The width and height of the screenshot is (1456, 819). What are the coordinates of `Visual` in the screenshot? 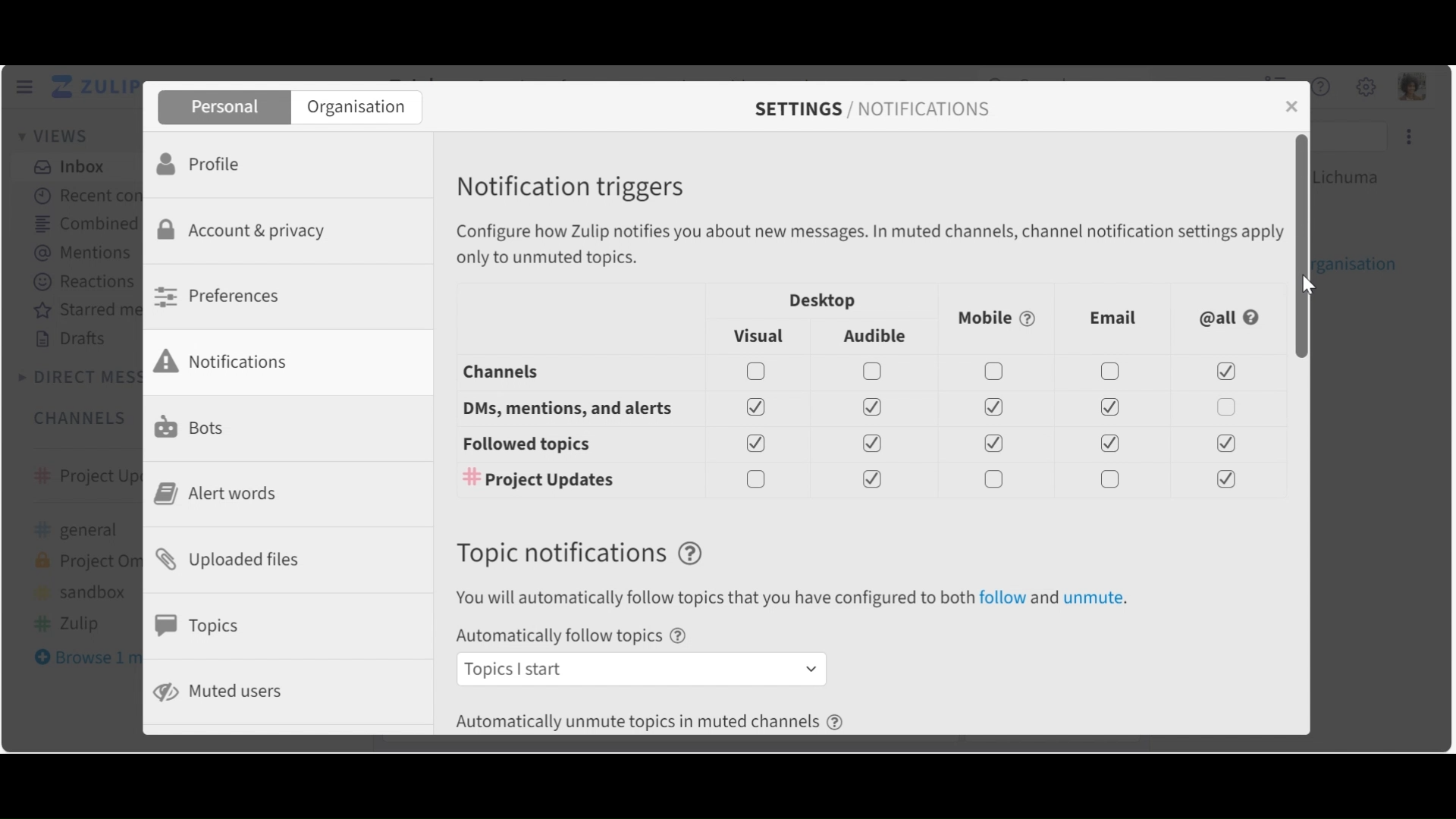 It's located at (756, 334).